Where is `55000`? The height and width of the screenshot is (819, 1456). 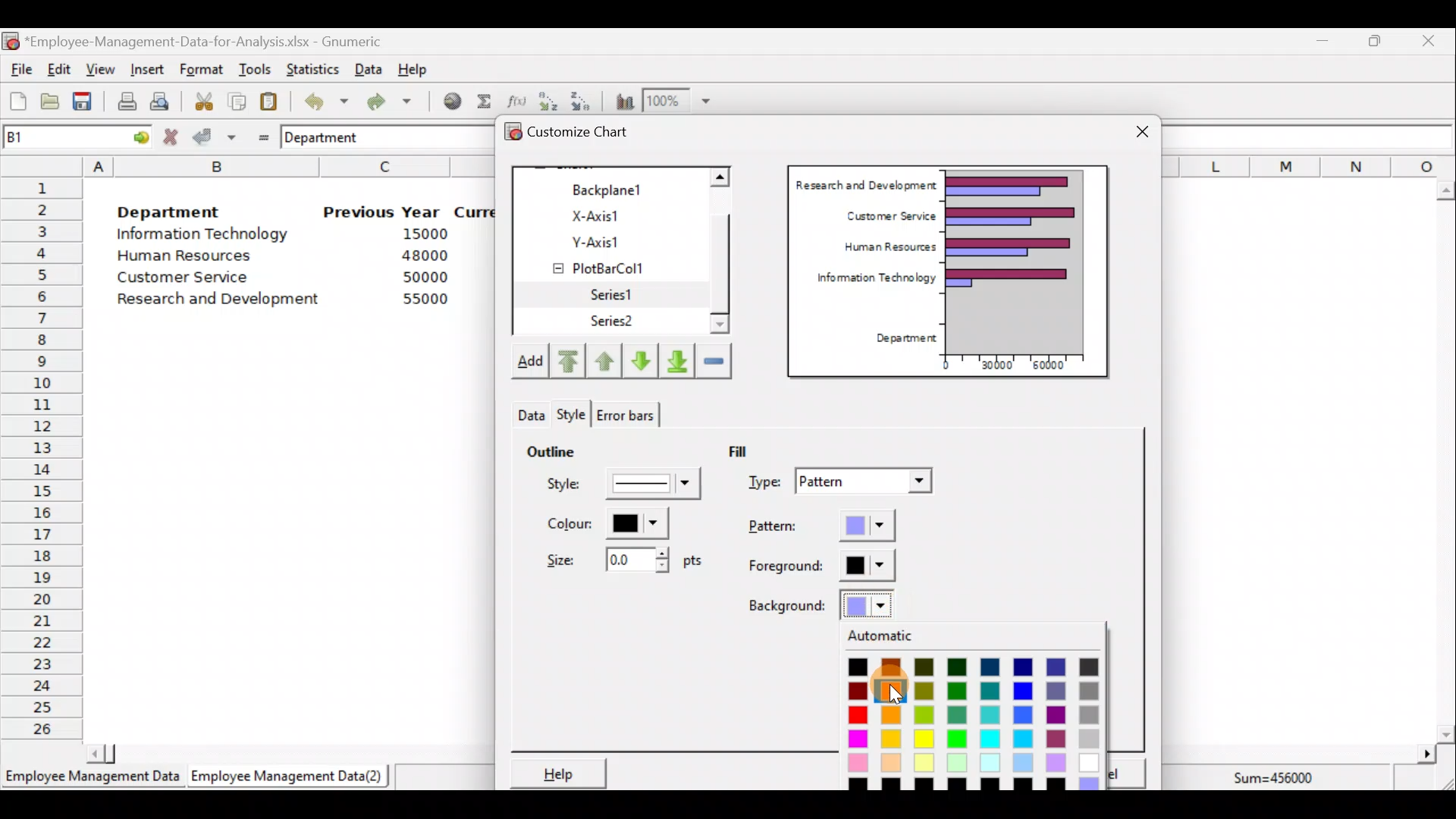 55000 is located at coordinates (426, 299).